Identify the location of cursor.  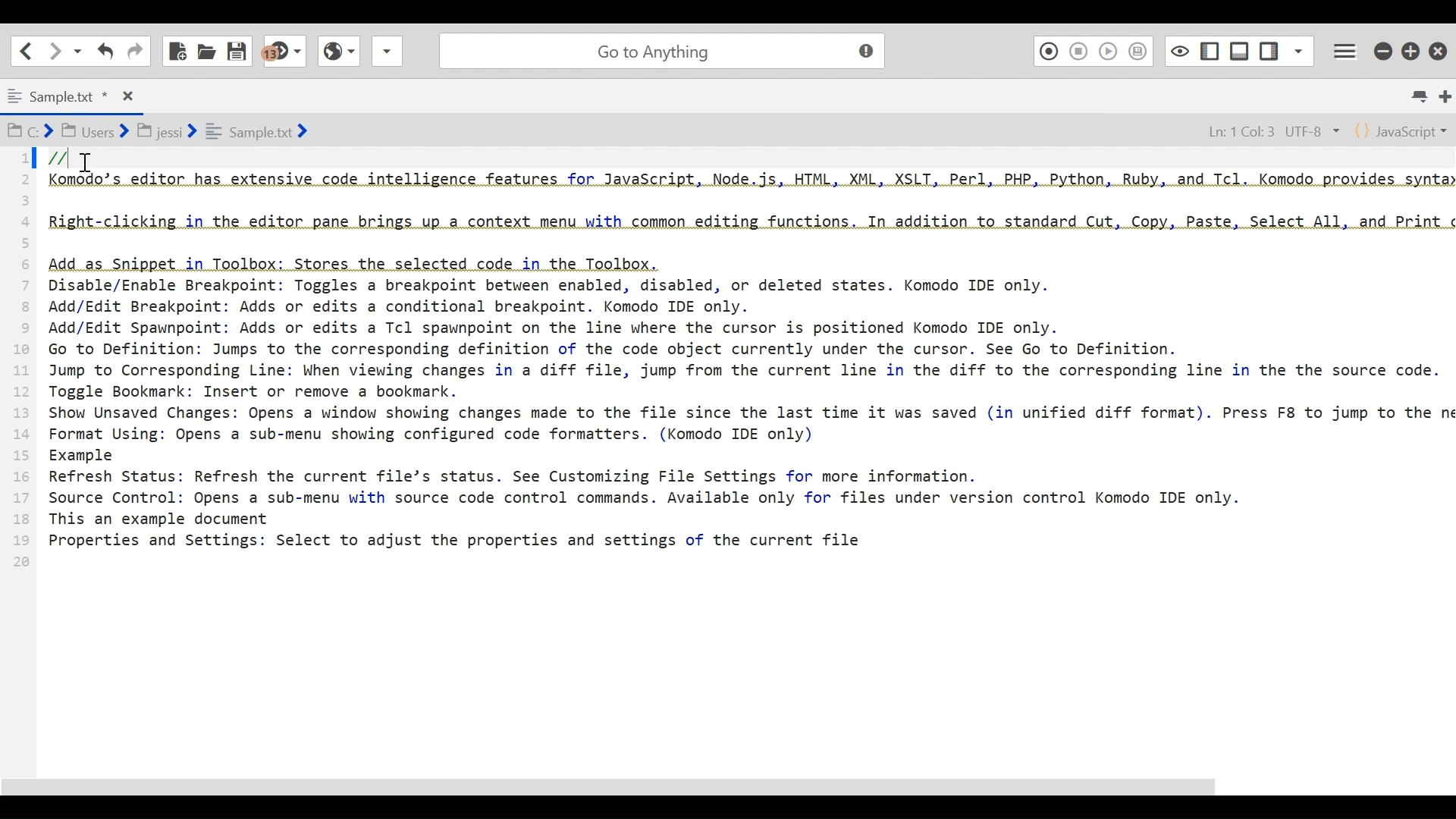
(89, 165).